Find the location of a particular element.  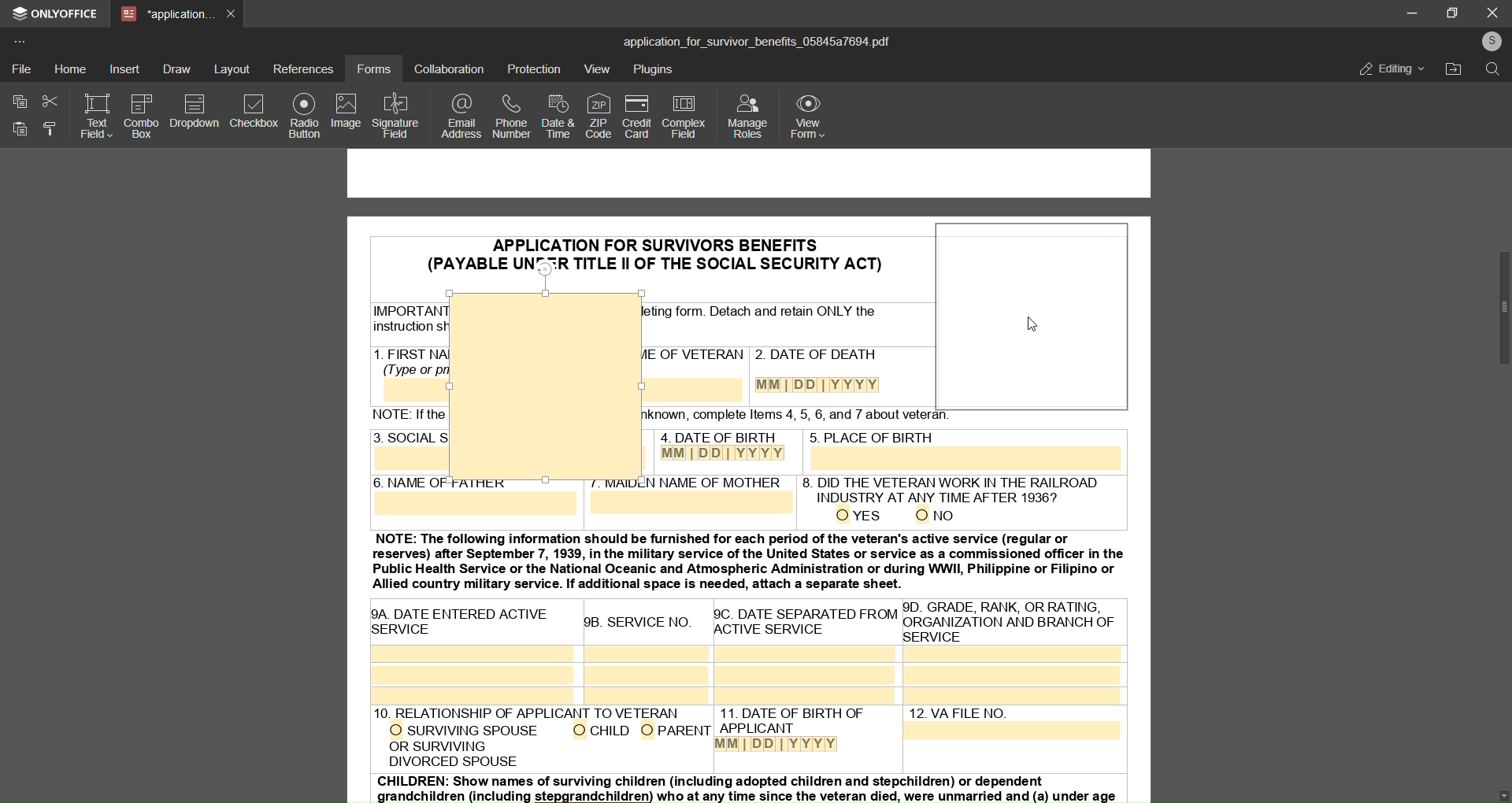

check box is located at coordinates (254, 113).